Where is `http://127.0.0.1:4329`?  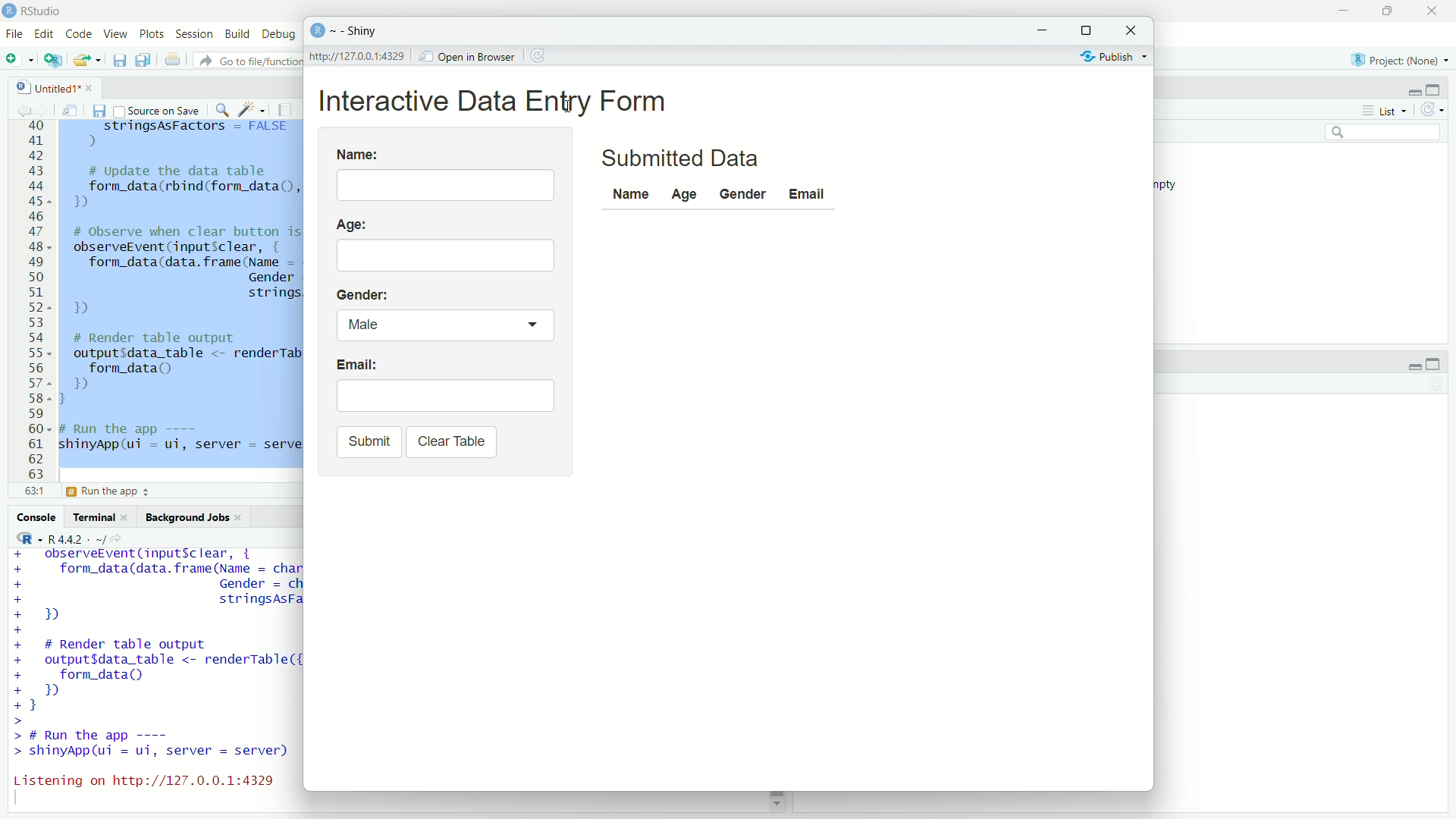 http://127.0.0.1:4329 is located at coordinates (361, 56).